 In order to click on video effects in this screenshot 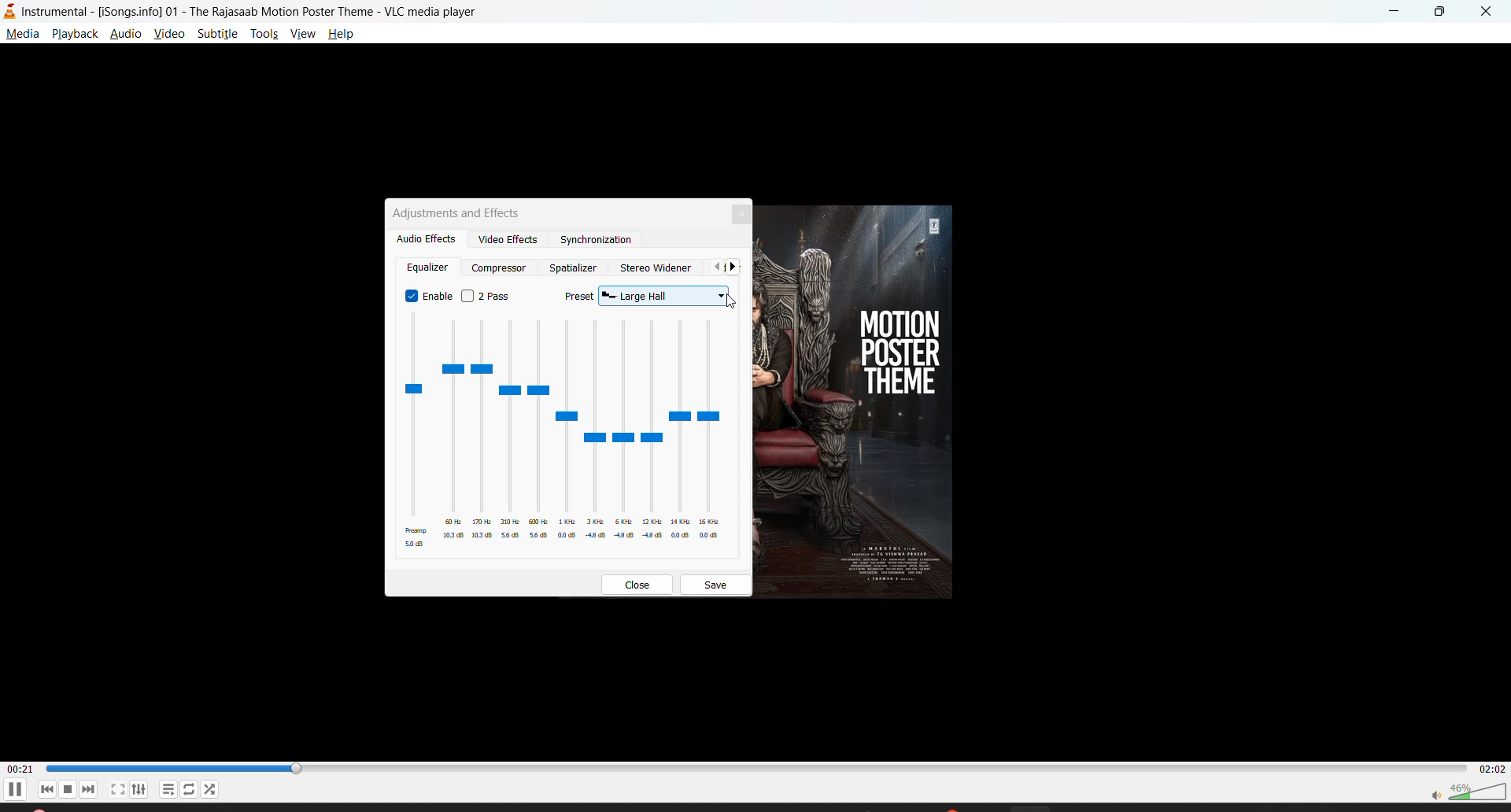, I will do `click(511, 242)`.